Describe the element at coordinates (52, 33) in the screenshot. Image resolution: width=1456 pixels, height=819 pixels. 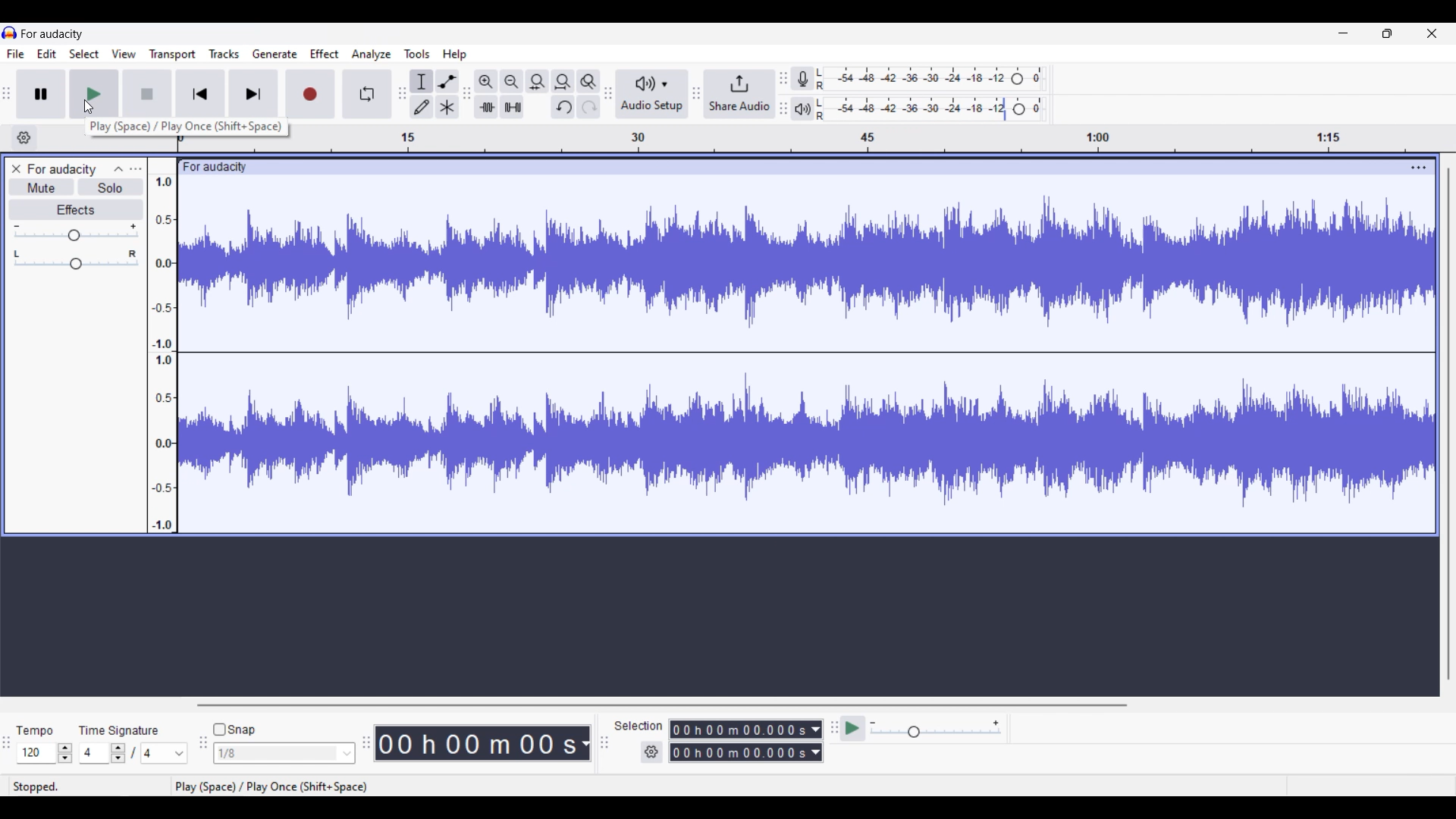
I see `For audacity` at that location.